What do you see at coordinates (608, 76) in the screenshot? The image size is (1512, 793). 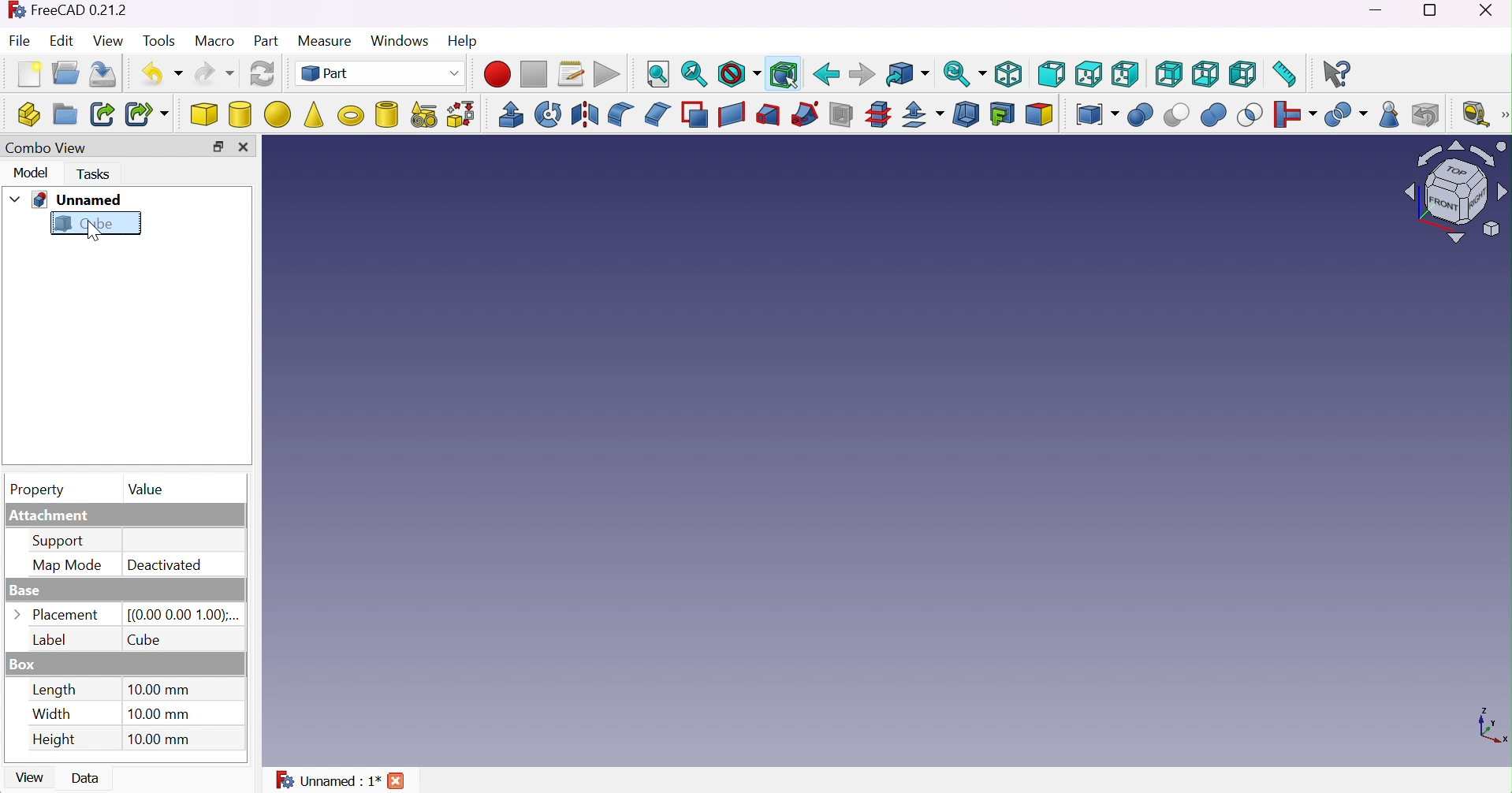 I see `Execute macro` at bounding box center [608, 76].